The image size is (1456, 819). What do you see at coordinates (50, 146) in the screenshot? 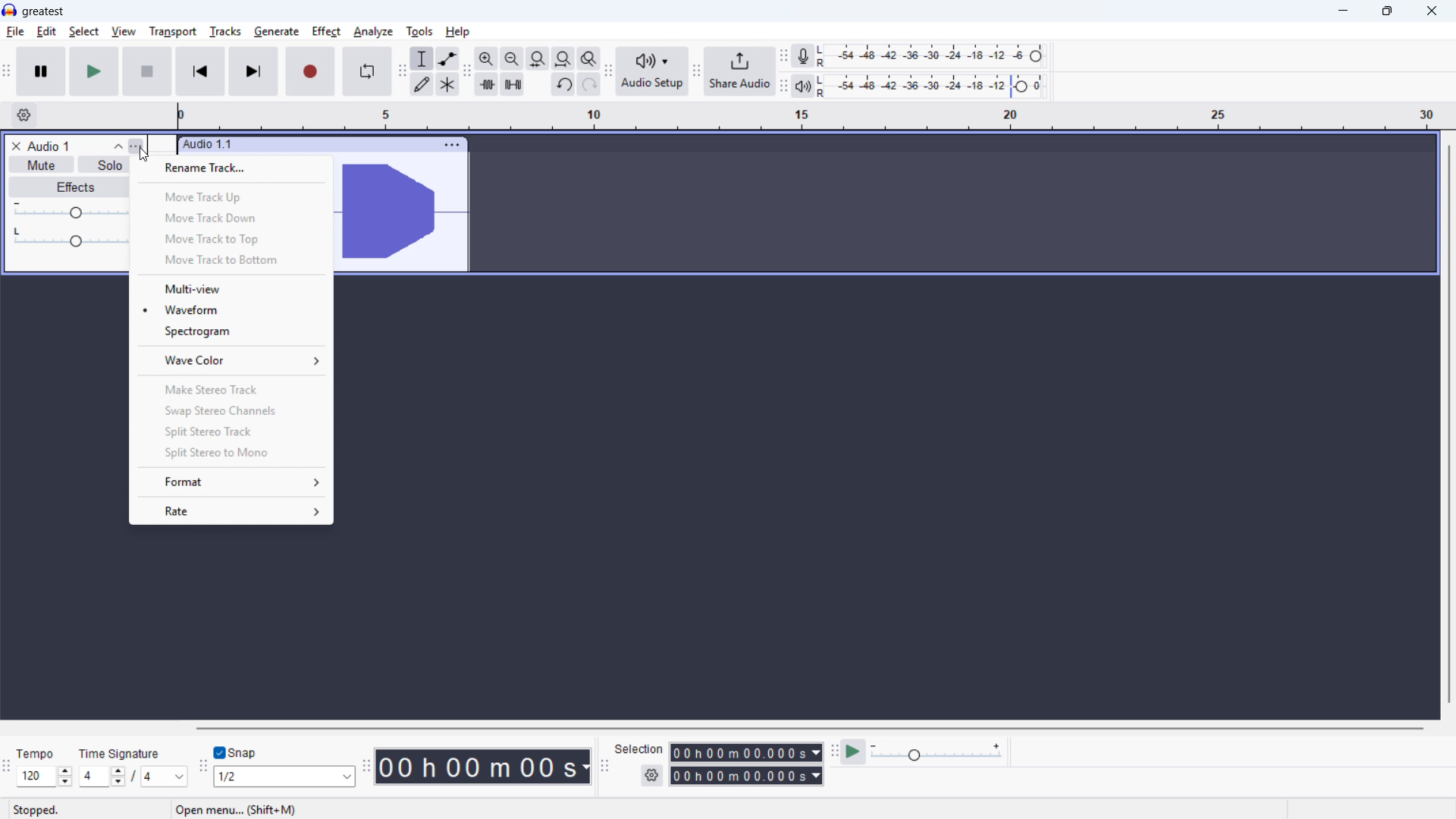
I see `track title` at bounding box center [50, 146].